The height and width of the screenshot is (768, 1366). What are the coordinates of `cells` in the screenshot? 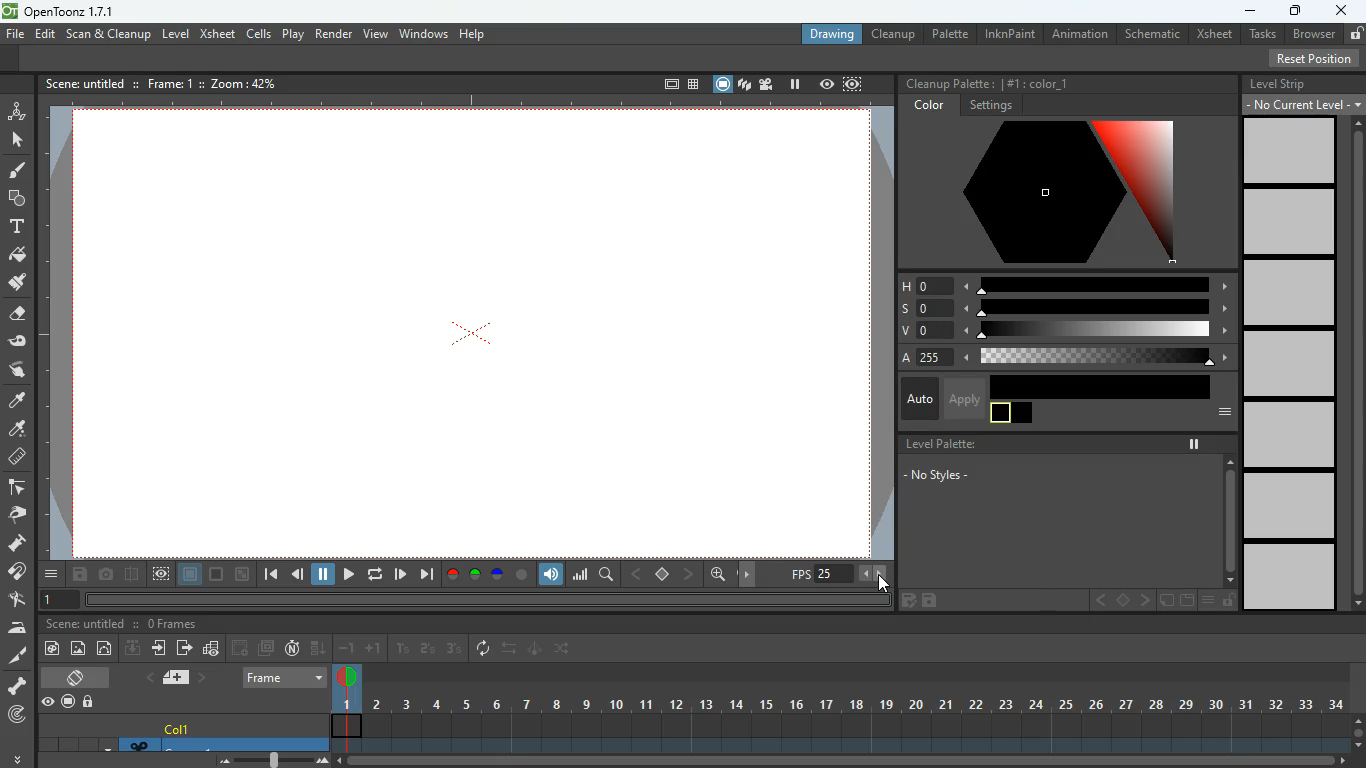 It's located at (260, 33).